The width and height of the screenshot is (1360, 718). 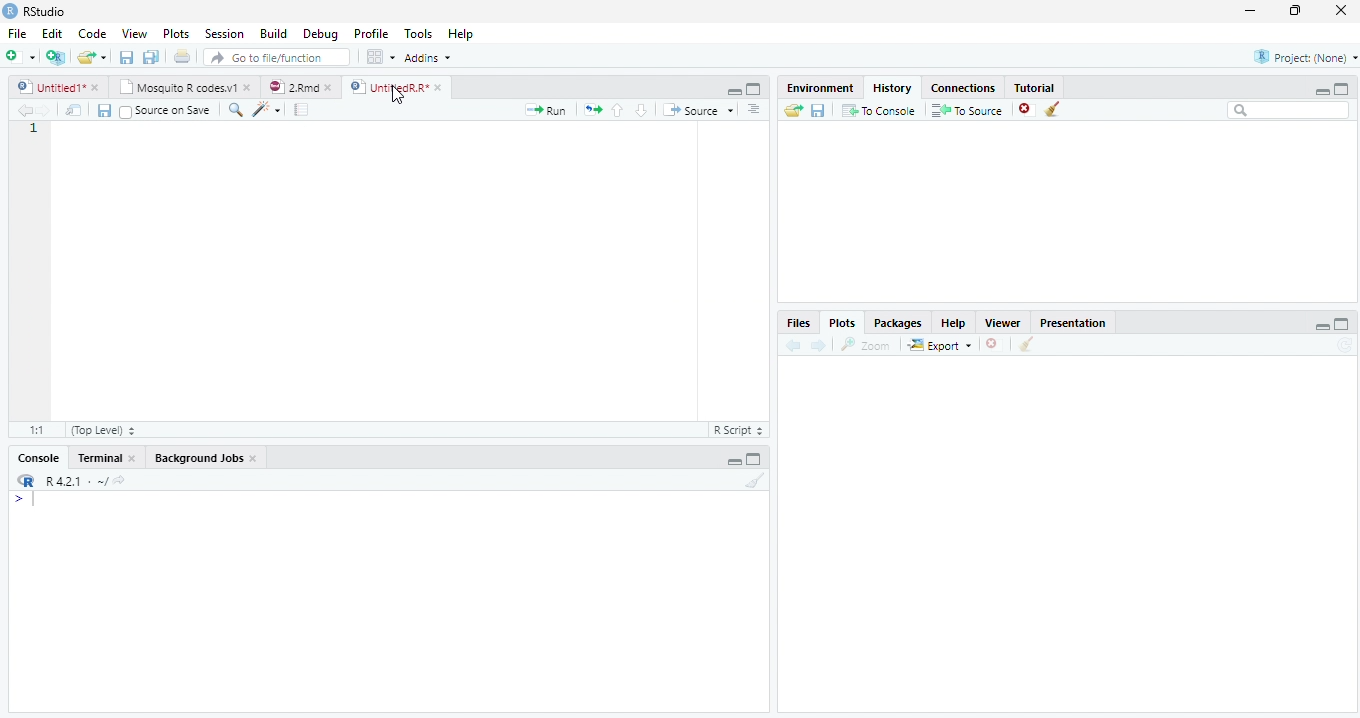 What do you see at coordinates (397, 97) in the screenshot?
I see `Cursor` at bounding box center [397, 97].